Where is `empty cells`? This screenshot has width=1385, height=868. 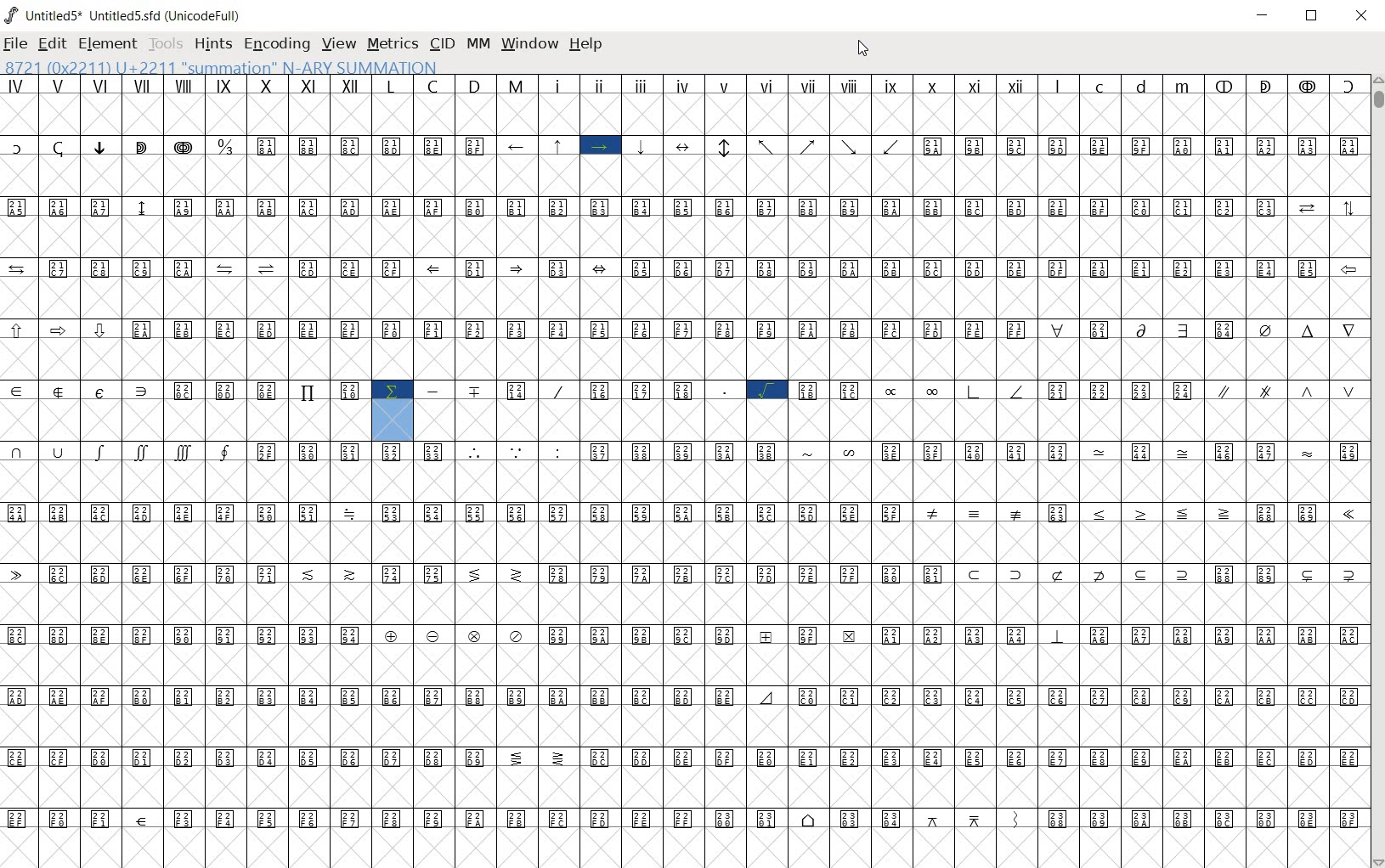 empty cells is located at coordinates (684, 541).